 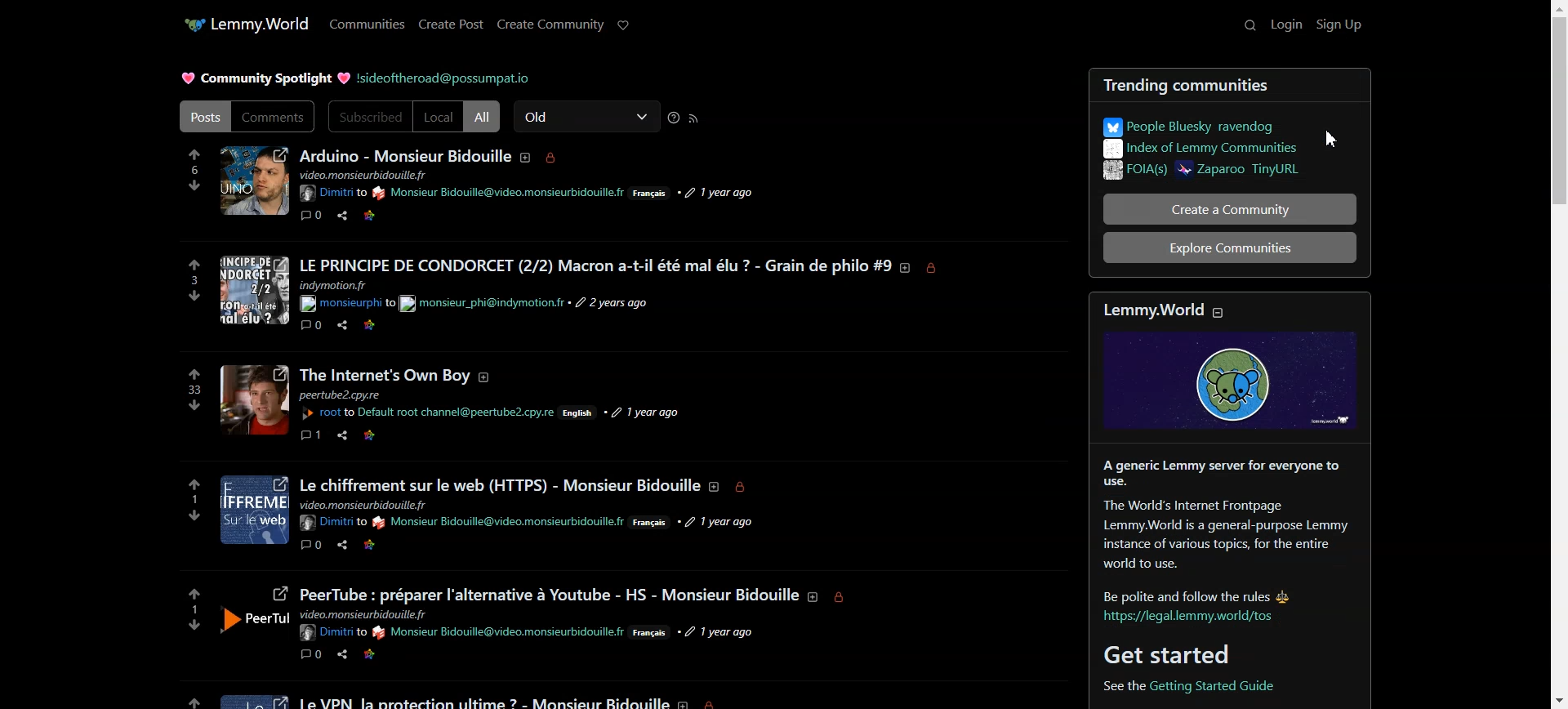 What do you see at coordinates (341, 546) in the screenshot?
I see `share` at bounding box center [341, 546].